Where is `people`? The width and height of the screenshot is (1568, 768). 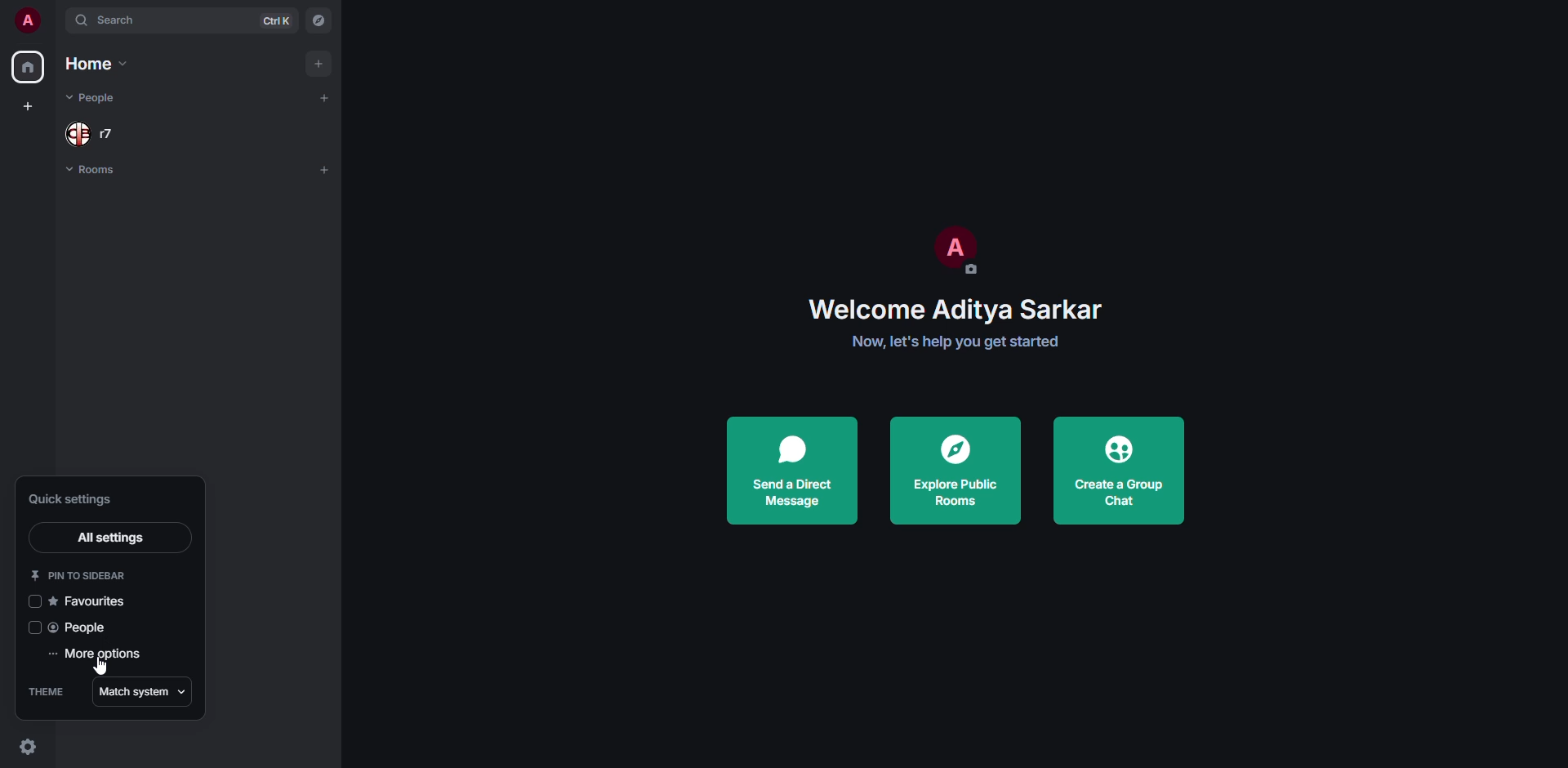 people is located at coordinates (83, 628).